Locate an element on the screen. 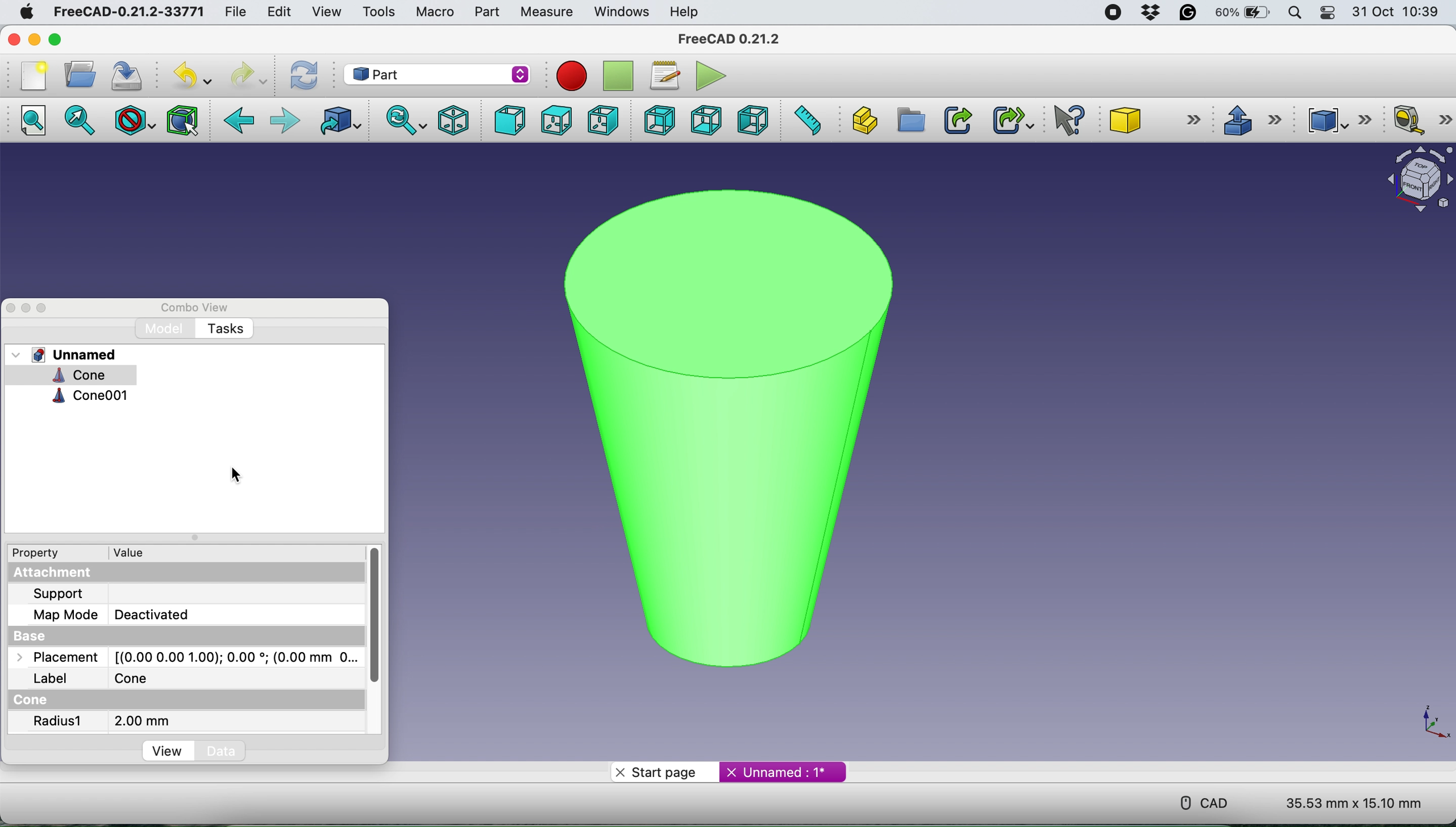  attachment is located at coordinates (66, 573).